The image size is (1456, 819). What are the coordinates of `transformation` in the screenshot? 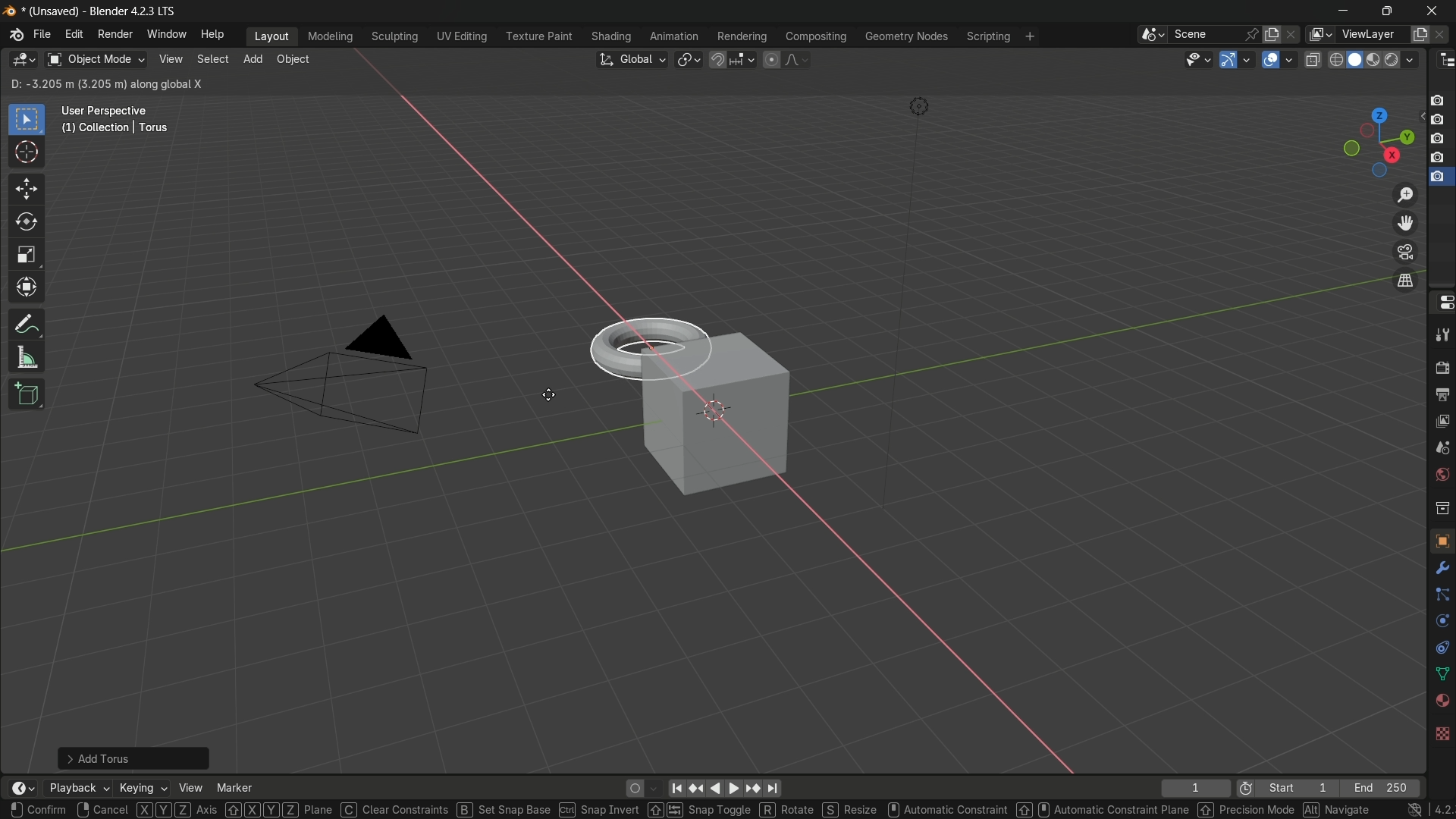 It's located at (28, 289).